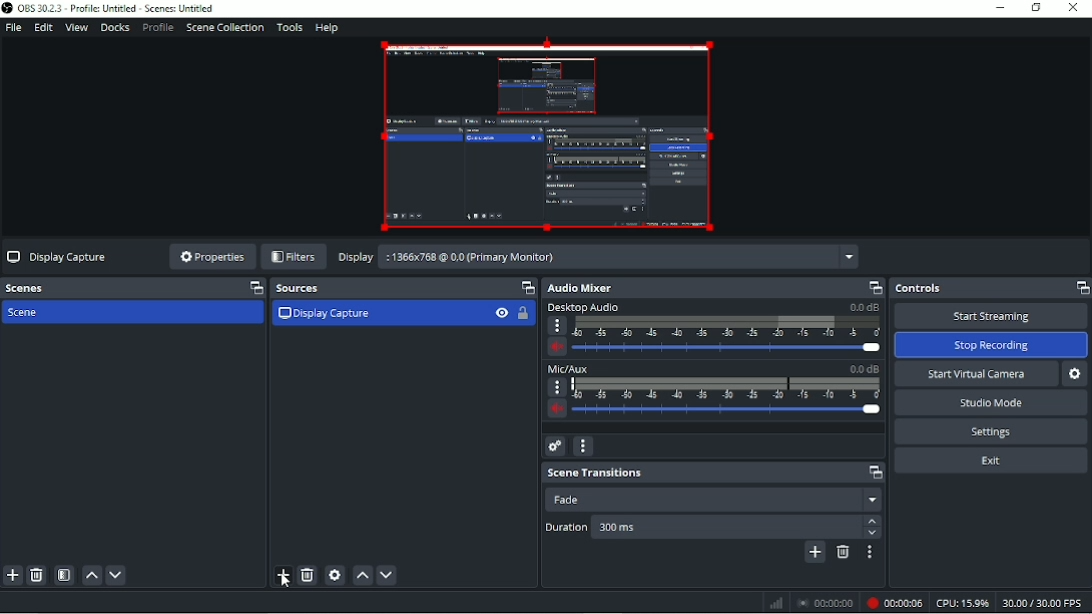 The height and width of the screenshot is (614, 1092). I want to click on Add configurable transition, so click(814, 553).